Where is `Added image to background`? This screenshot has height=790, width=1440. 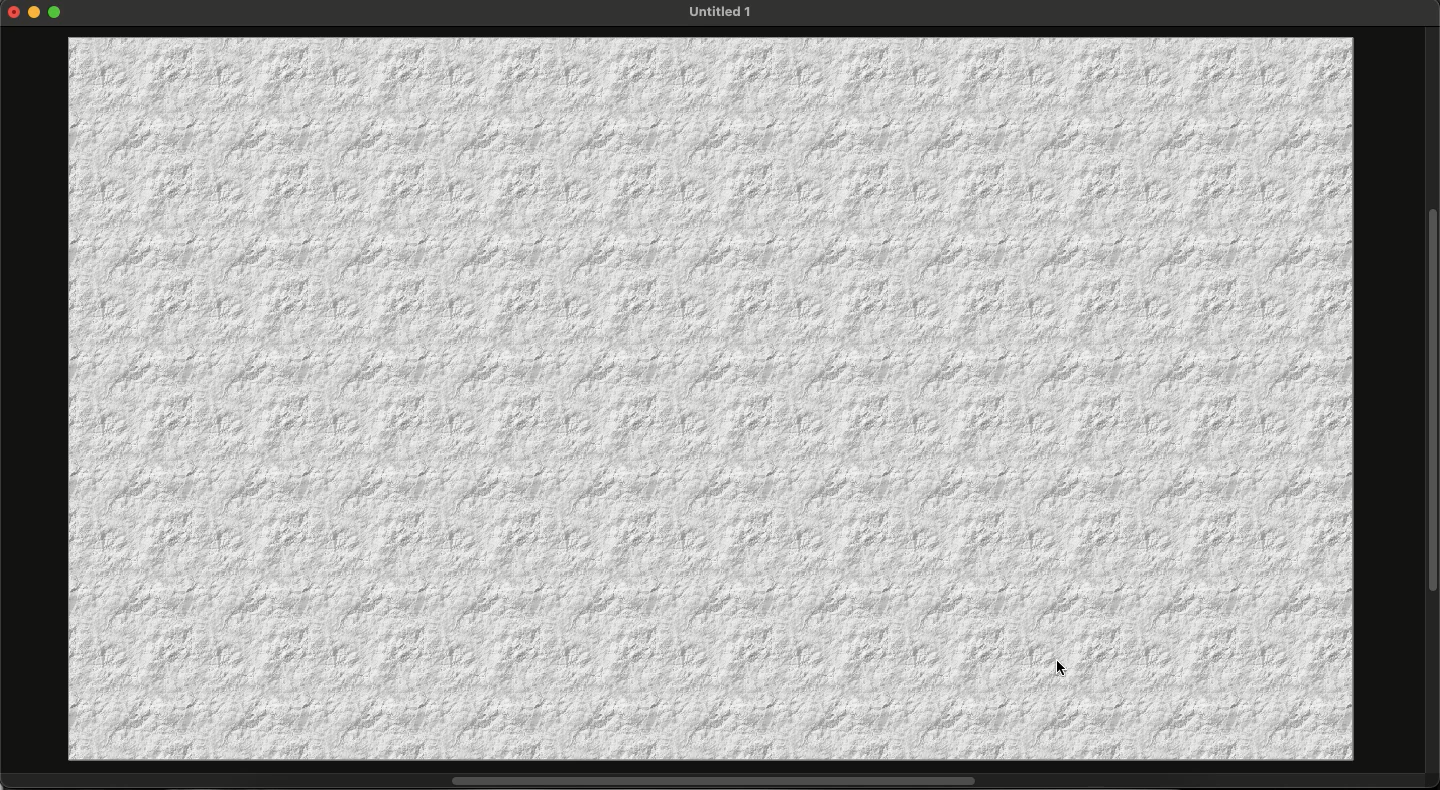
Added image to background is located at coordinates (710, 400).